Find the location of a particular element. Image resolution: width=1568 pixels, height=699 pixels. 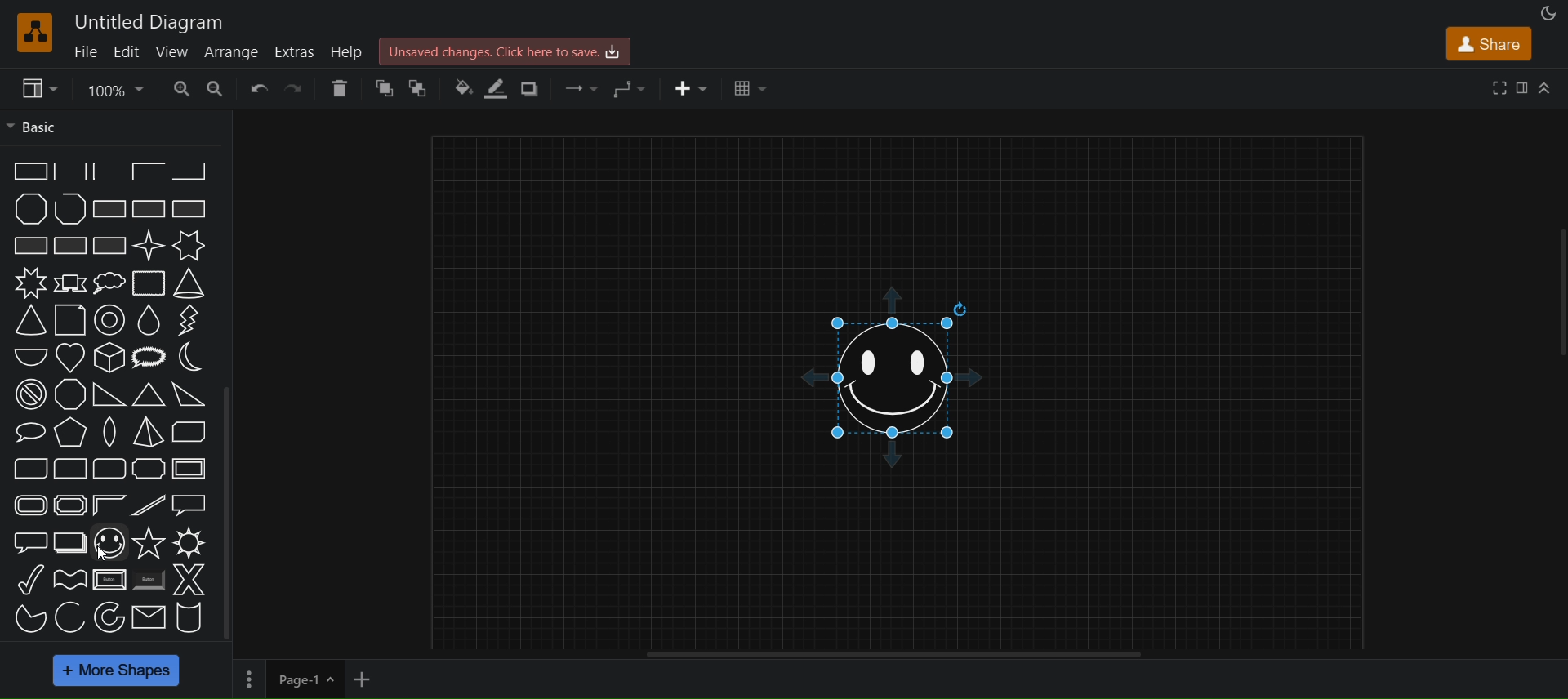

rectangle with reverse diagonal fill is located at coordinates (148, 209).